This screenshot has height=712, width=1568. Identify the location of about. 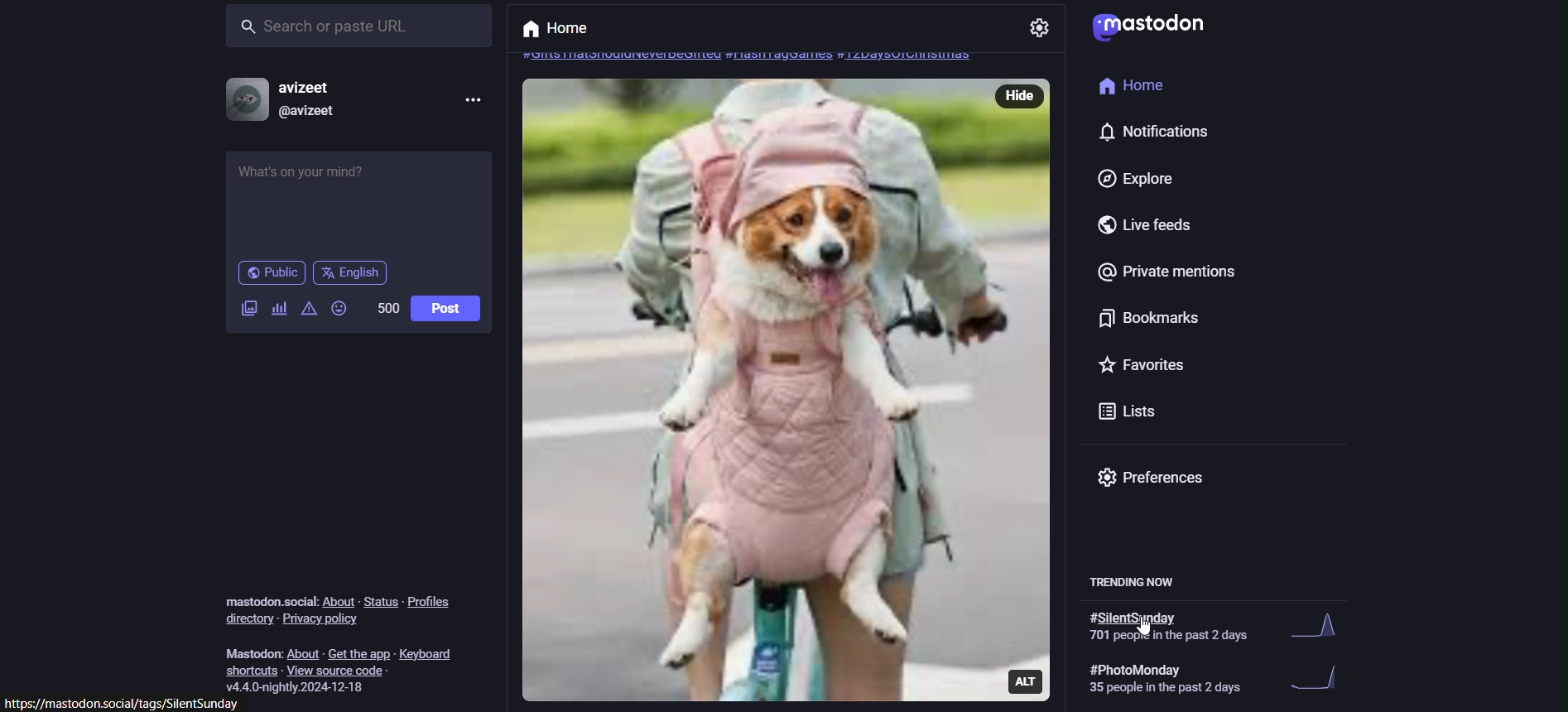
(339, 602).